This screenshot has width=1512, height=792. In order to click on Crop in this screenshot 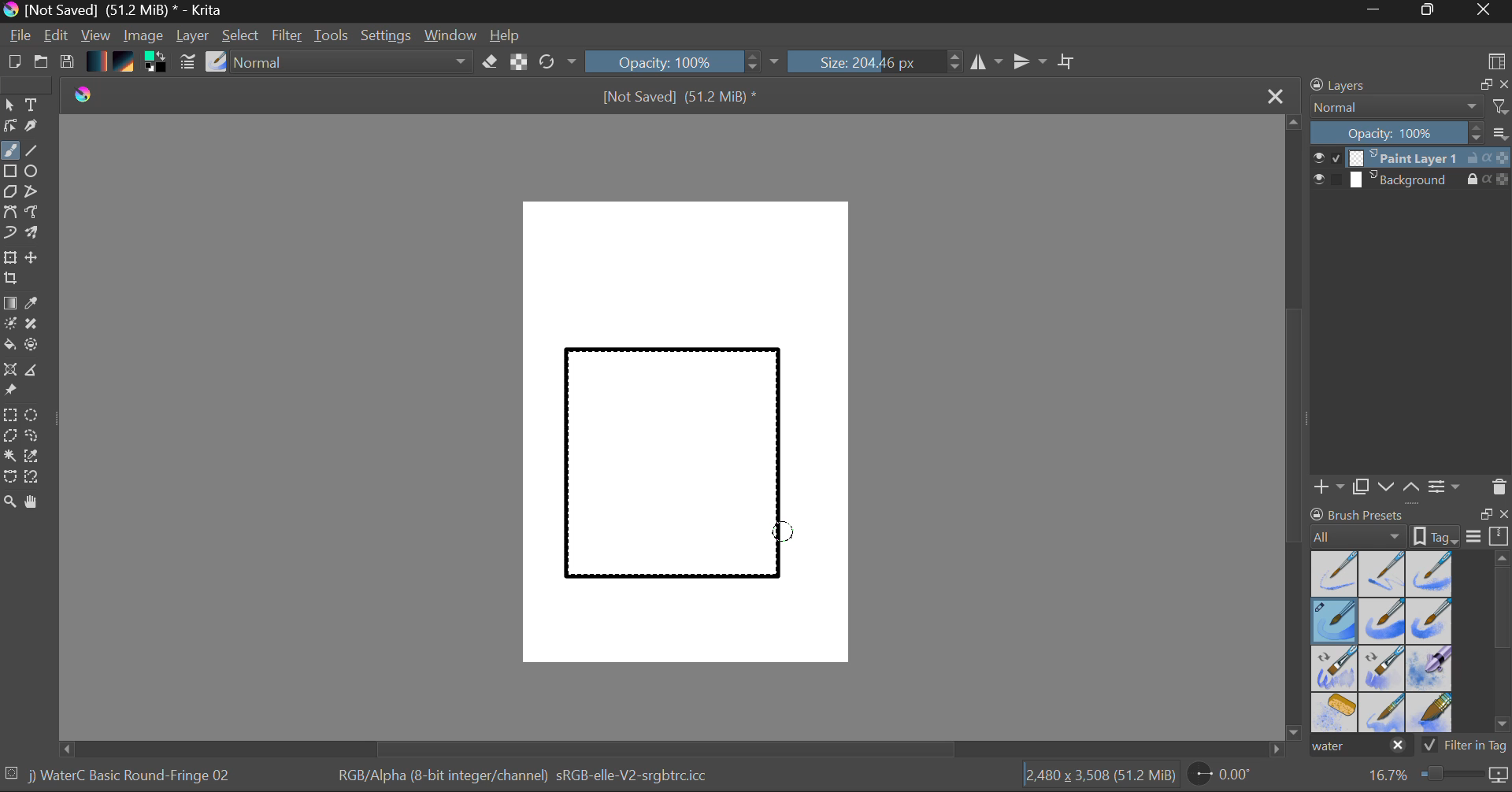, I will do `click(1069, 61)`.